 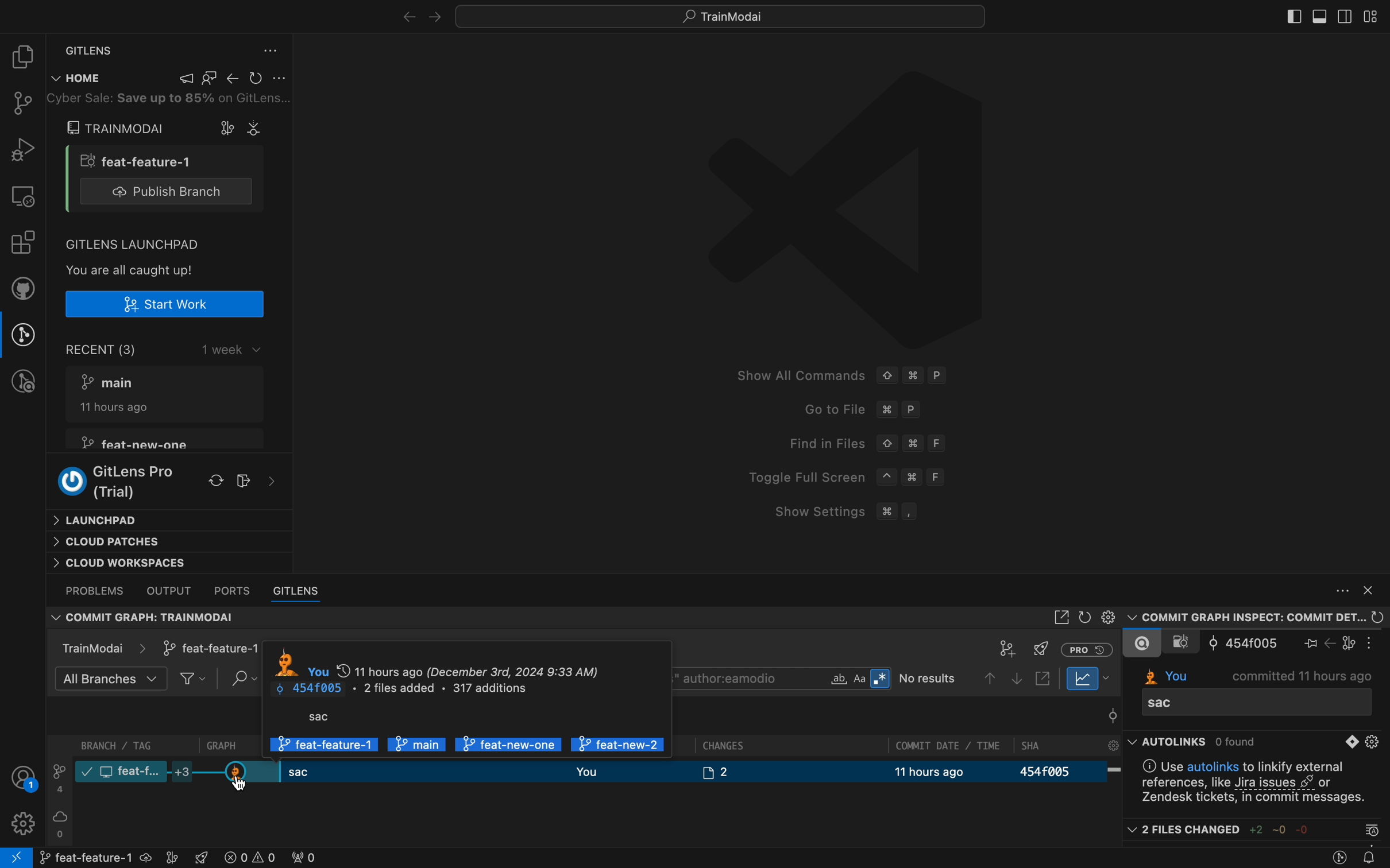 What do you see at coordinates (22, 823) in the screenshot?
I see `Settings ` at bounding box center [22, 823].